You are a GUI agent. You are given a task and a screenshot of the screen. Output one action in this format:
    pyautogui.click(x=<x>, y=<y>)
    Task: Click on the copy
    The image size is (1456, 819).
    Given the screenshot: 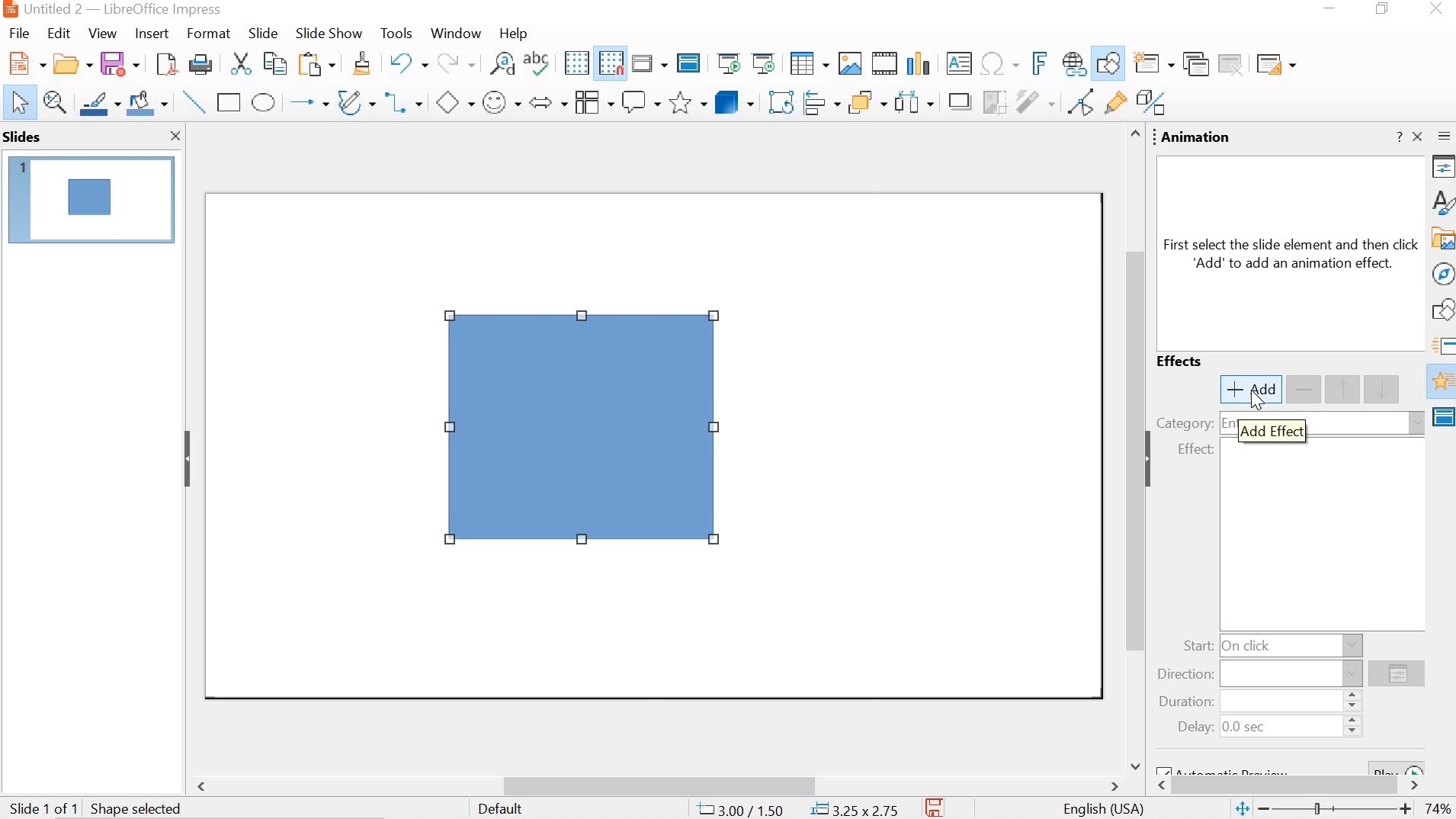 What is the action you would take?
    pyautogui.click(x=277, y=63)
    